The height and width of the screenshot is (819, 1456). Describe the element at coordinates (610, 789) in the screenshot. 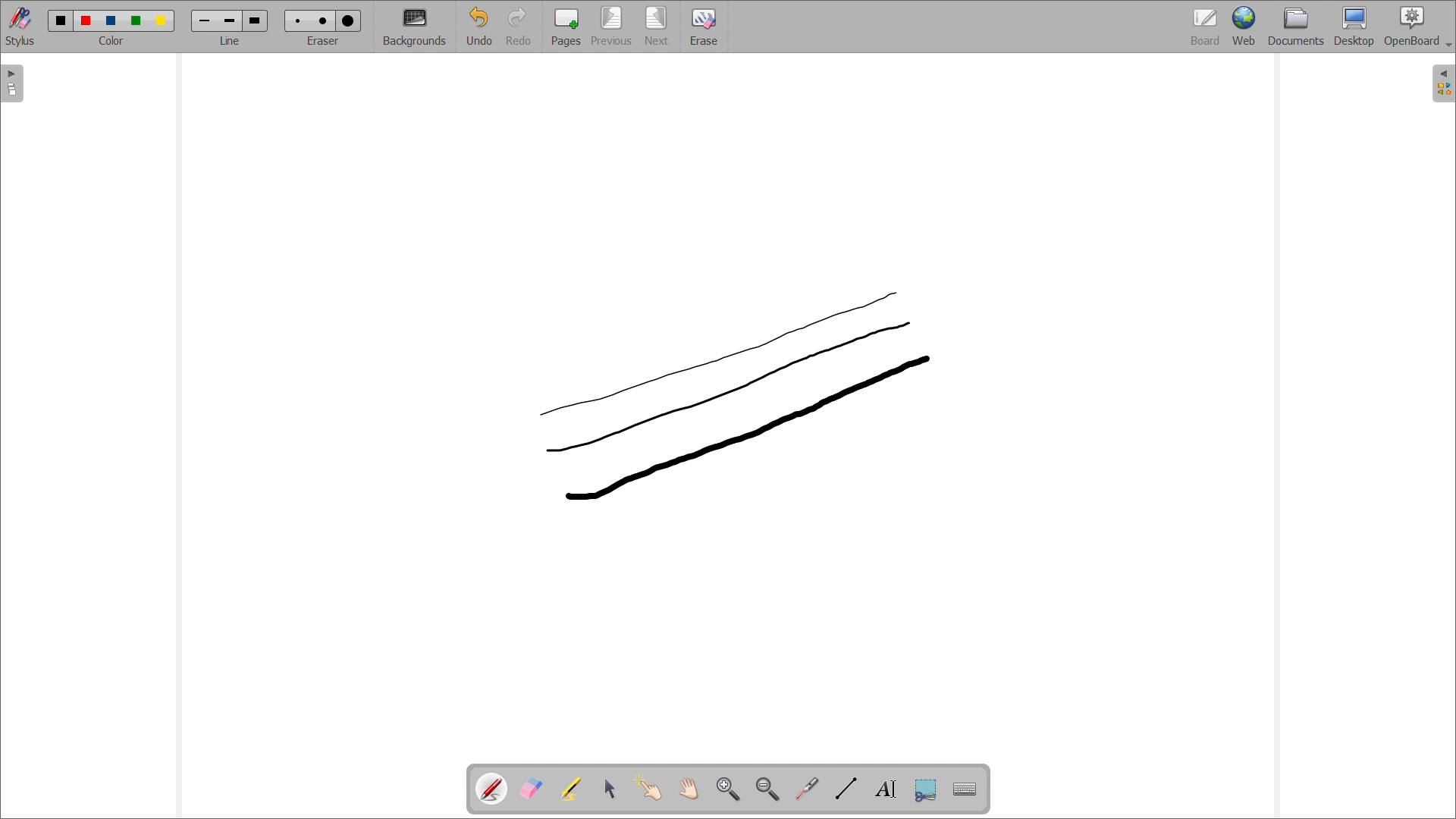

I see `select and modify objects` at that location.